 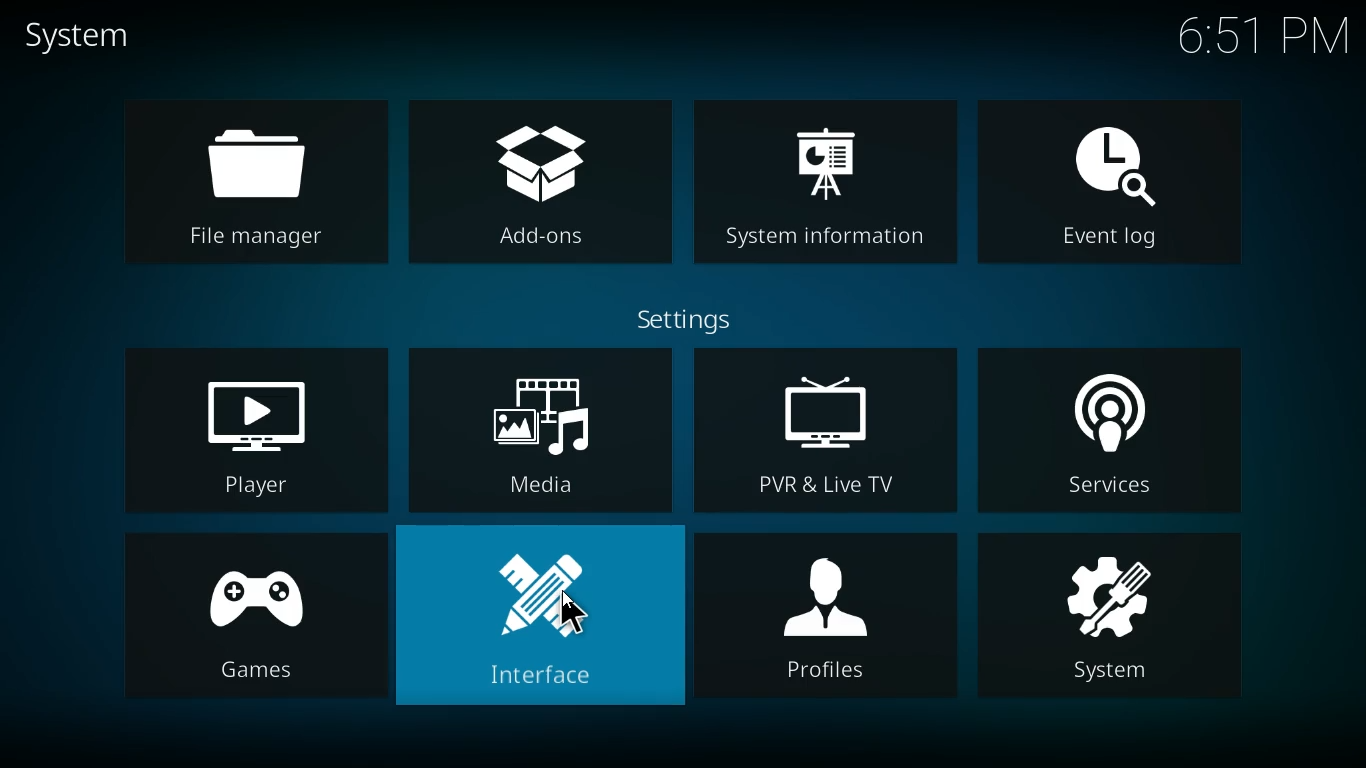 What do you see at coordinates (83, 36) in the screenshot?
I see `system` at bounding box center [83, 36].